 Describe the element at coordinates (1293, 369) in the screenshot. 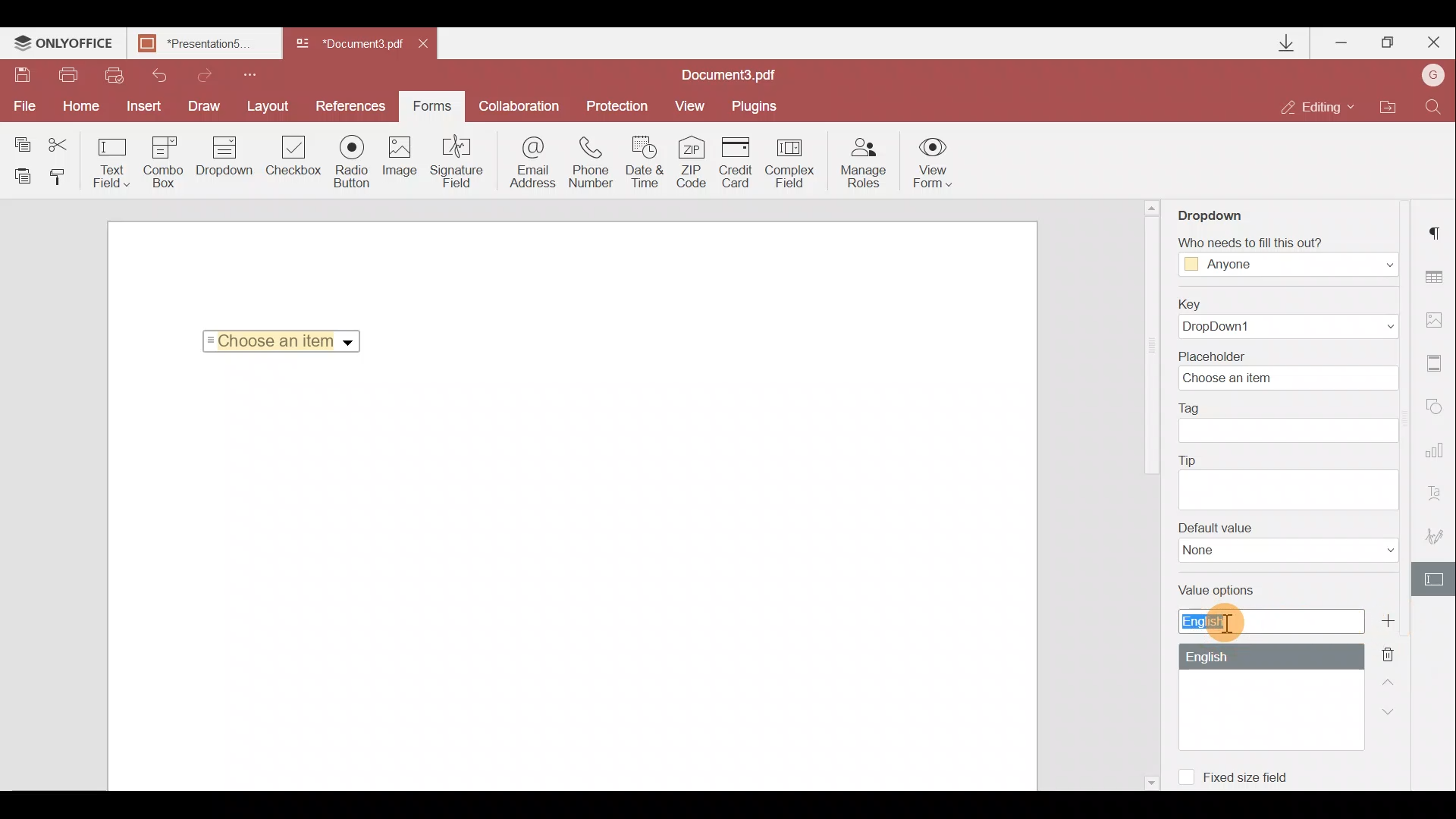

I see `Placeholder` at that location.